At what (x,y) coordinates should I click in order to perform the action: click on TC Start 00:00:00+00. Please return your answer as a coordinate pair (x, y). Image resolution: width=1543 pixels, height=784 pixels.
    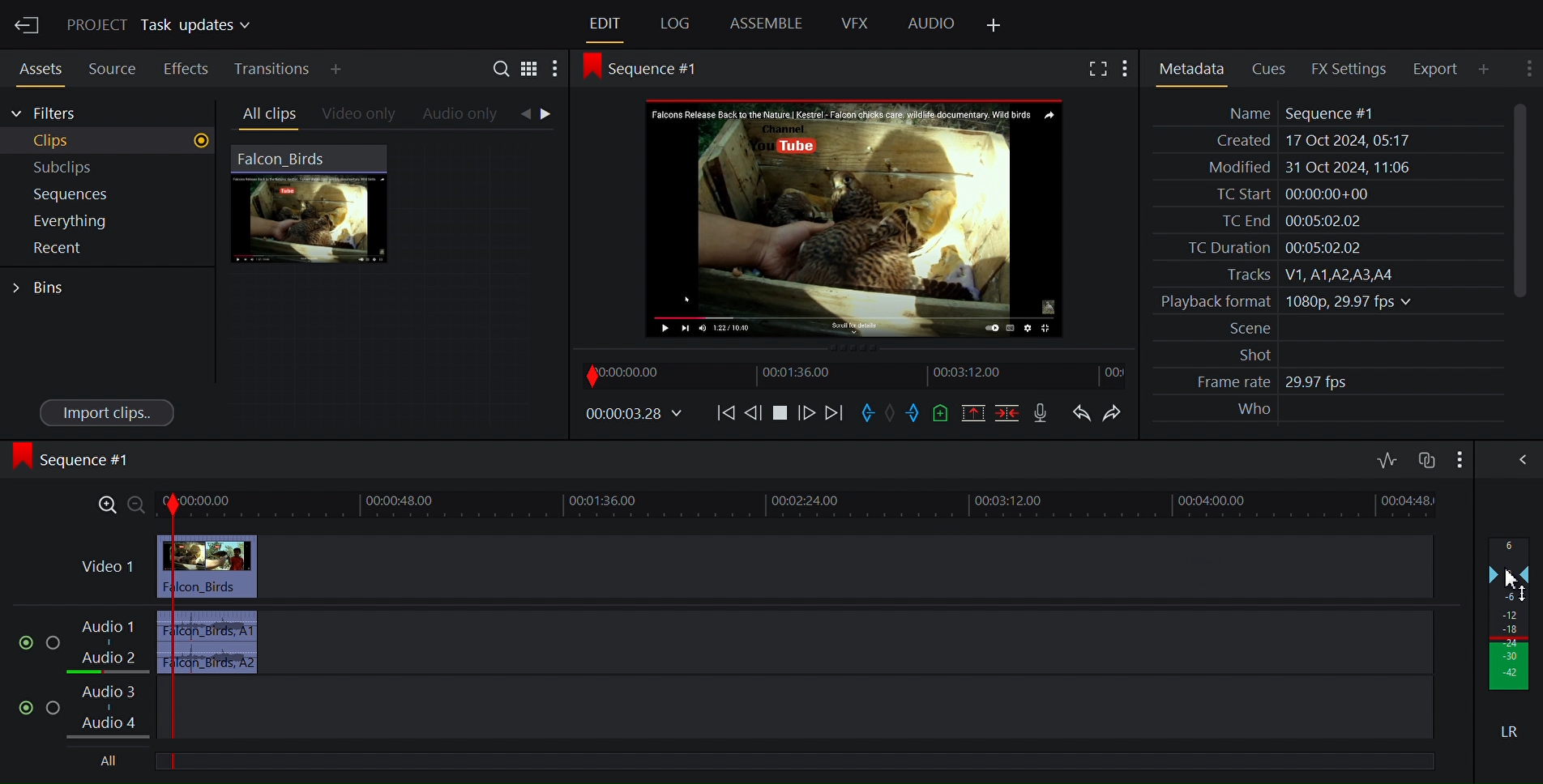
    Looking at the image, I should click on (1287, 194).